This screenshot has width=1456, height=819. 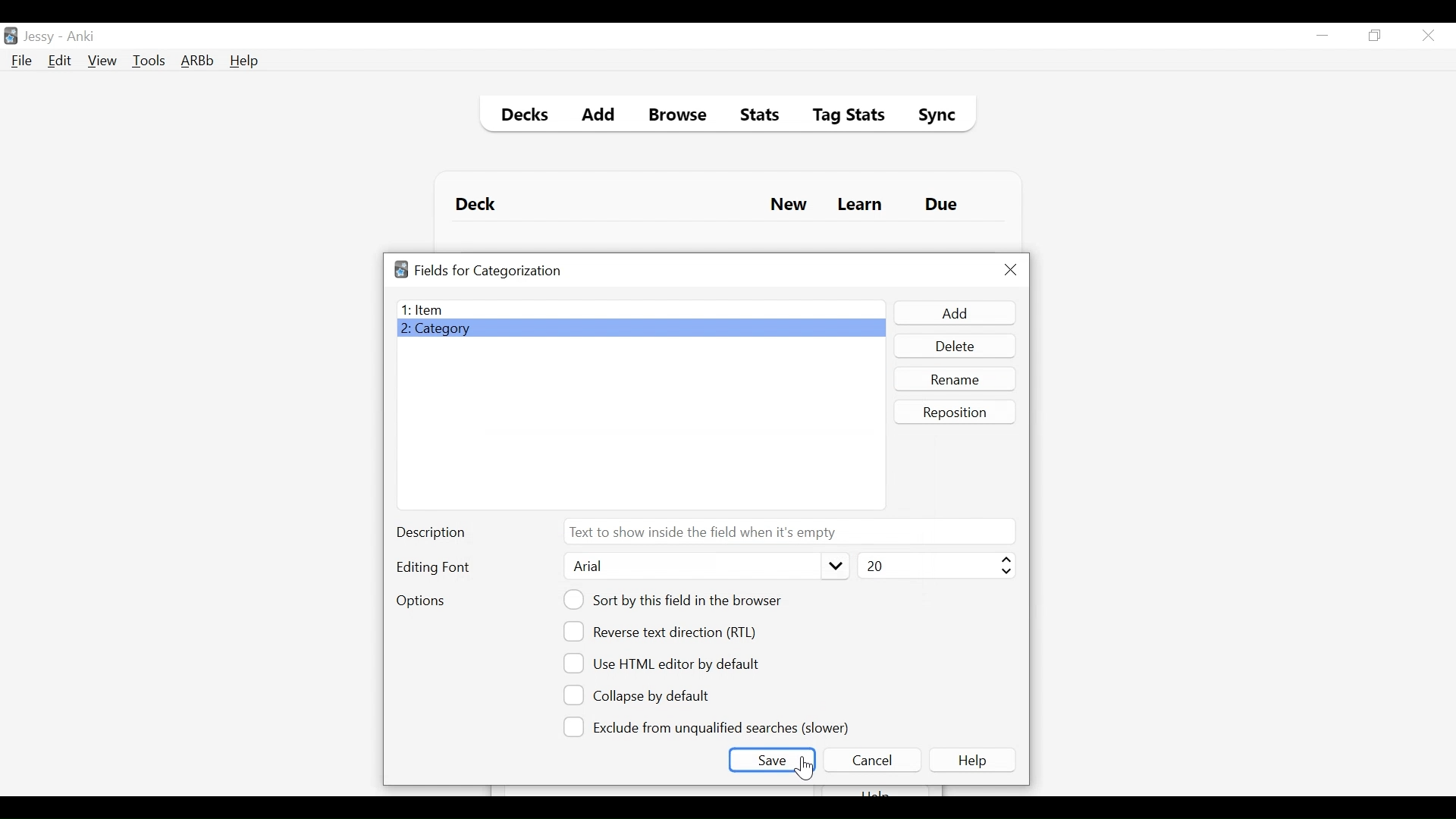 I want to click on Options, so click(x=420, y=602).